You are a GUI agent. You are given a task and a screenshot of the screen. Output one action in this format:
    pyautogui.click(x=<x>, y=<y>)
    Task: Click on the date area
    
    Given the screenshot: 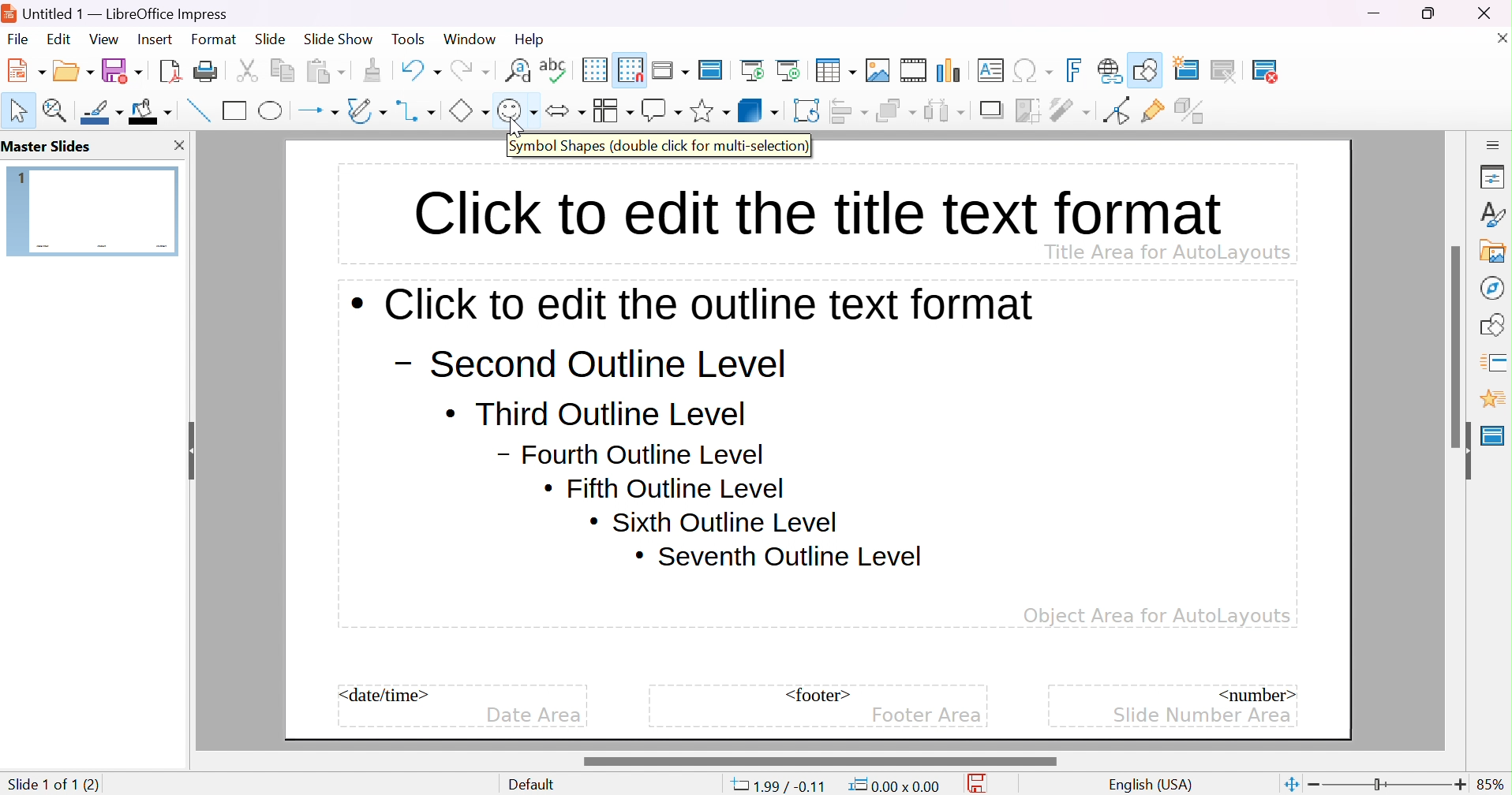 What is the action you would take?
    pyautogui.click(x=533, y=716)
    